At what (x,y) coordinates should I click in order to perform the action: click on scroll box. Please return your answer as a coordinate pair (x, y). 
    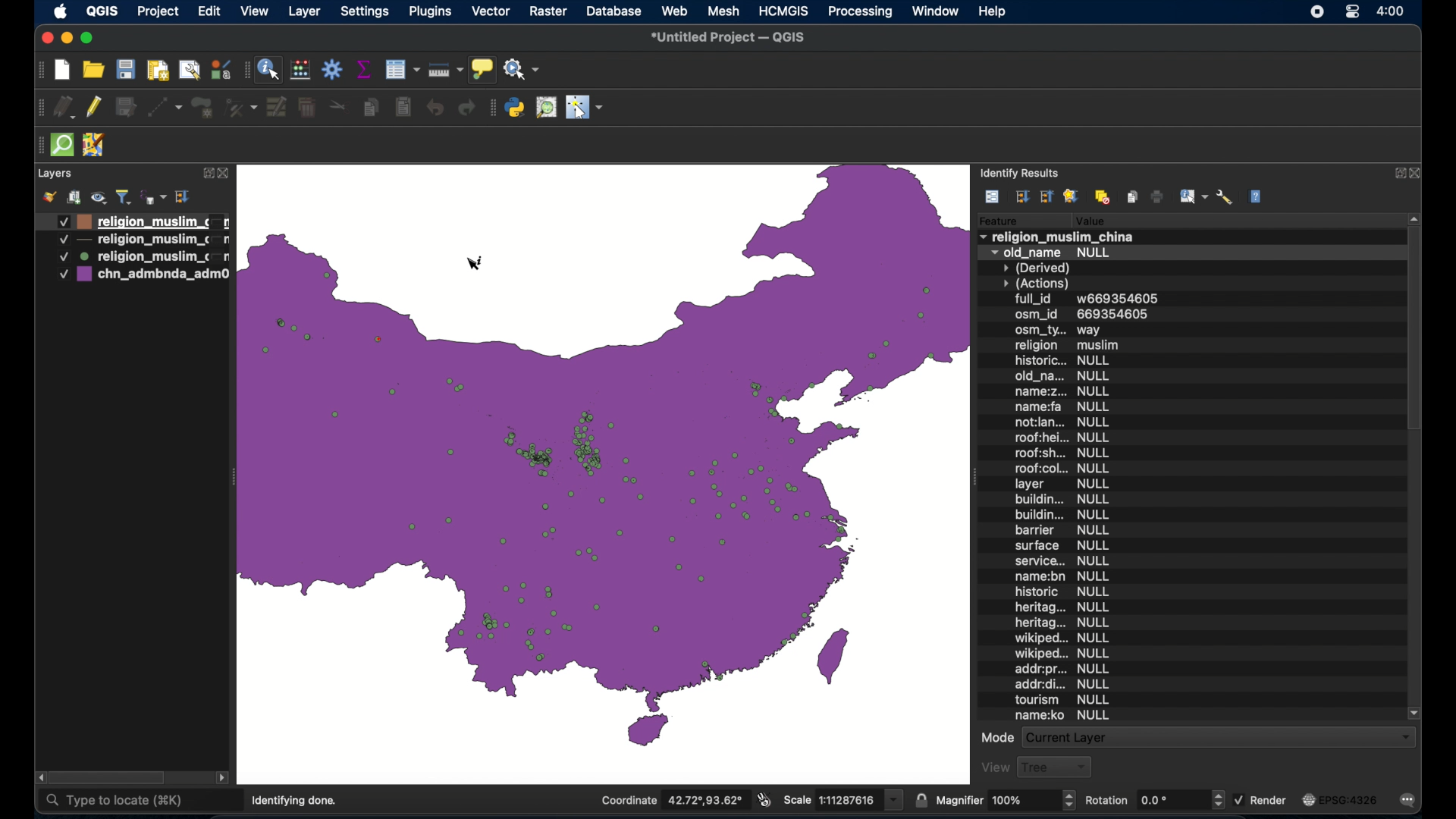
    Looking at the image, I should click on (108, 777).